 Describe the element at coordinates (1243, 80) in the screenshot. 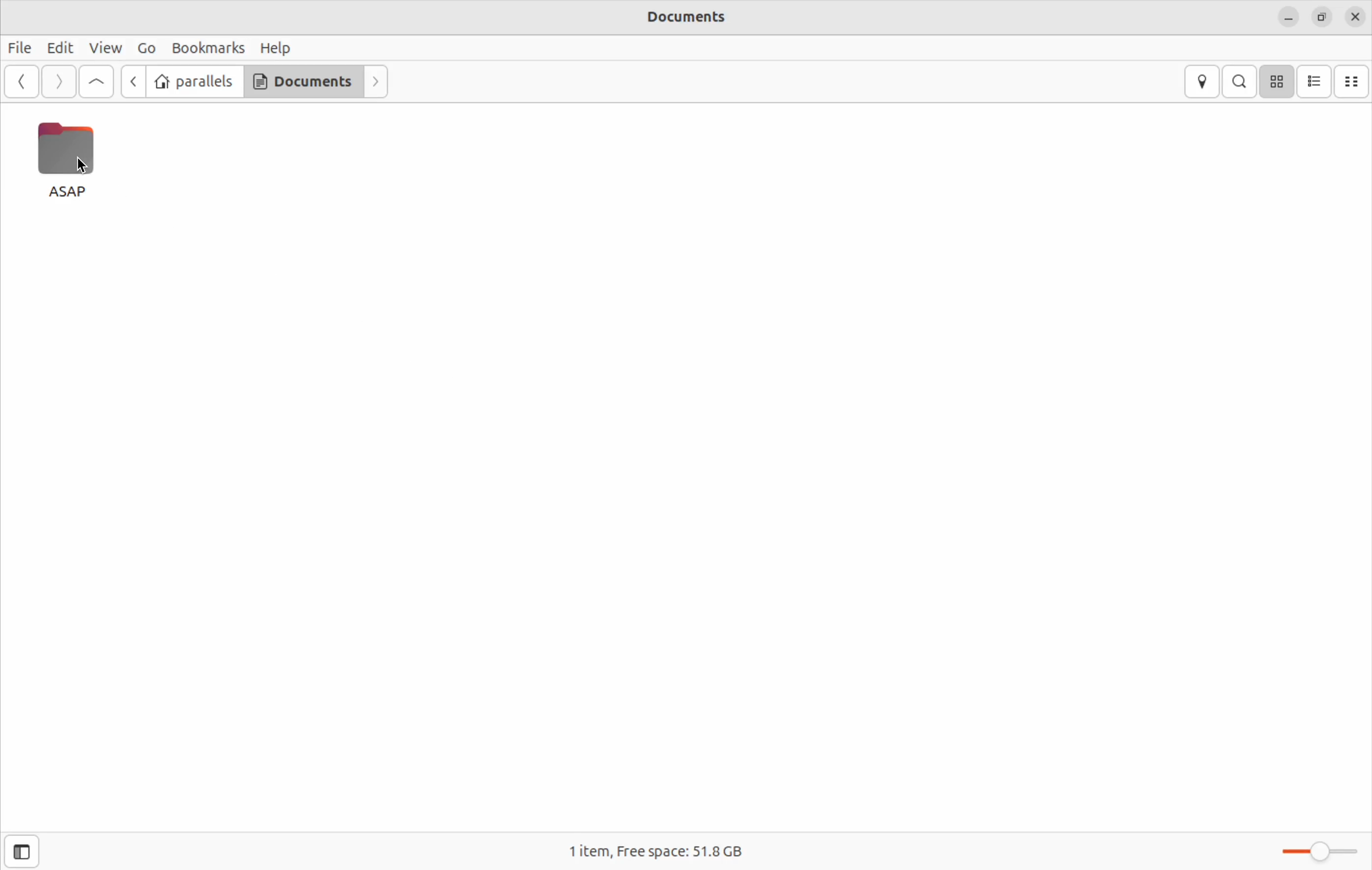

I see `search` at that location.